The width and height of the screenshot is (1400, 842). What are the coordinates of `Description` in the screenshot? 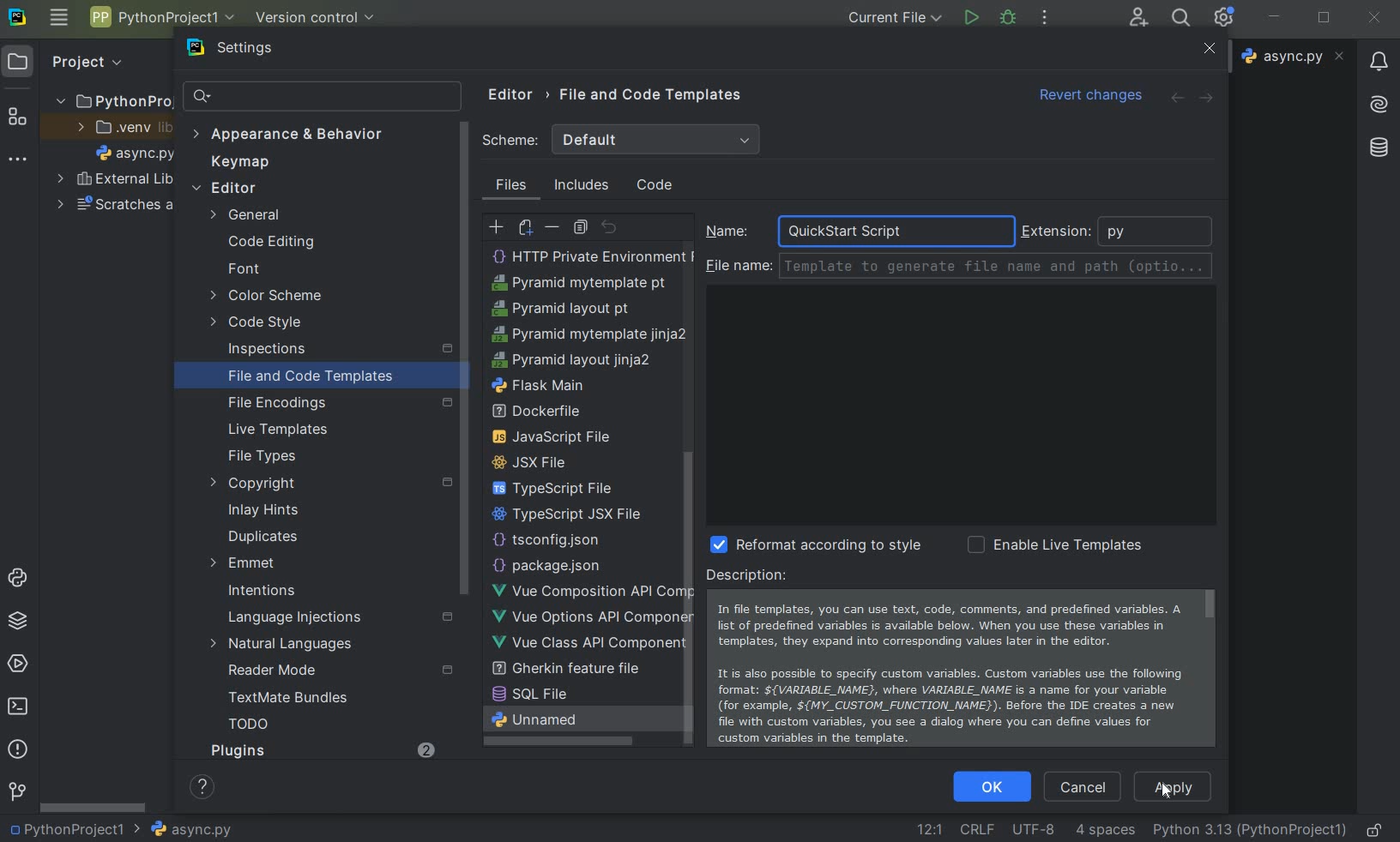 It's located at (958, 660).